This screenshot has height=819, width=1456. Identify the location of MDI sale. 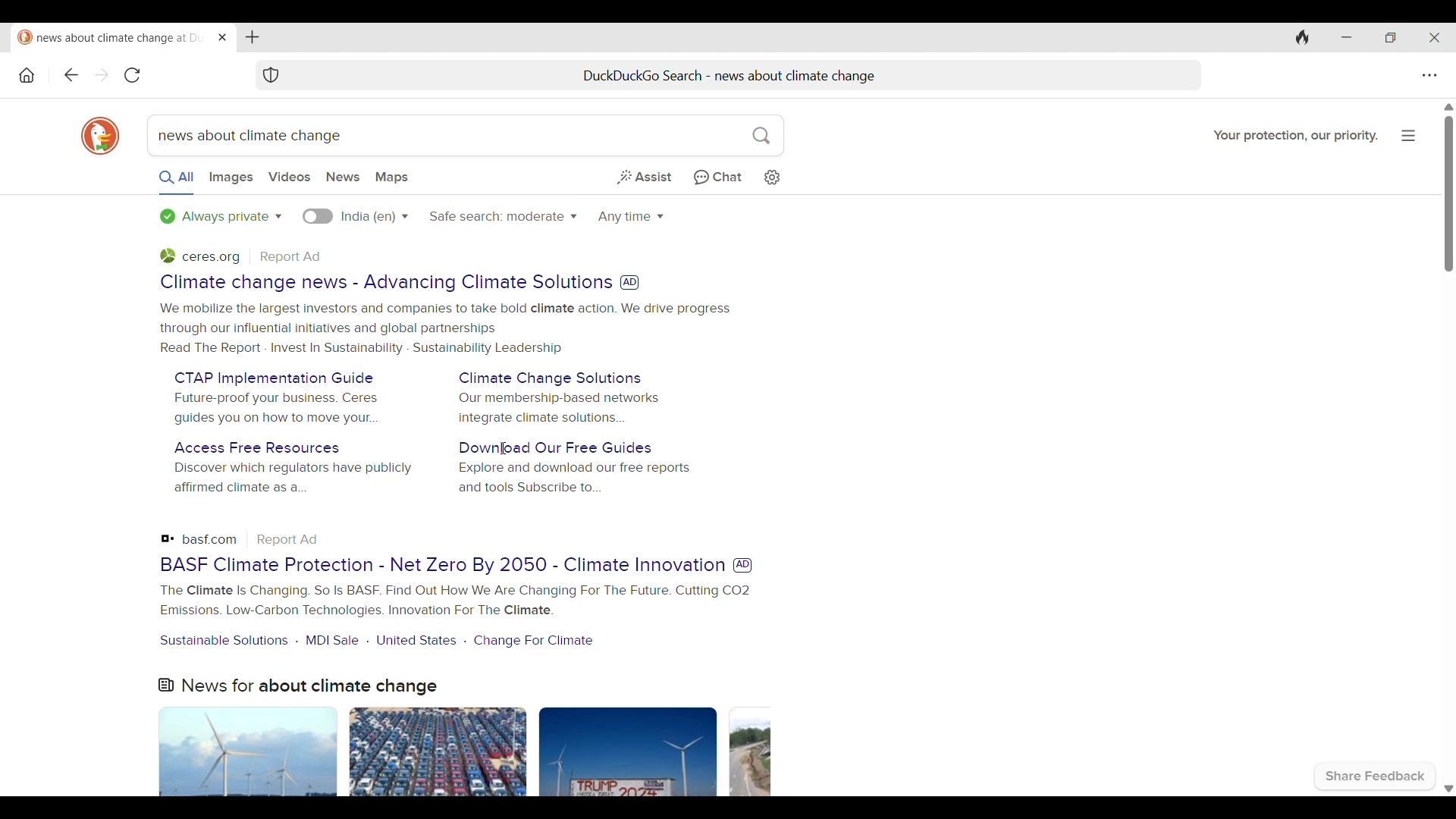
(332, 639).